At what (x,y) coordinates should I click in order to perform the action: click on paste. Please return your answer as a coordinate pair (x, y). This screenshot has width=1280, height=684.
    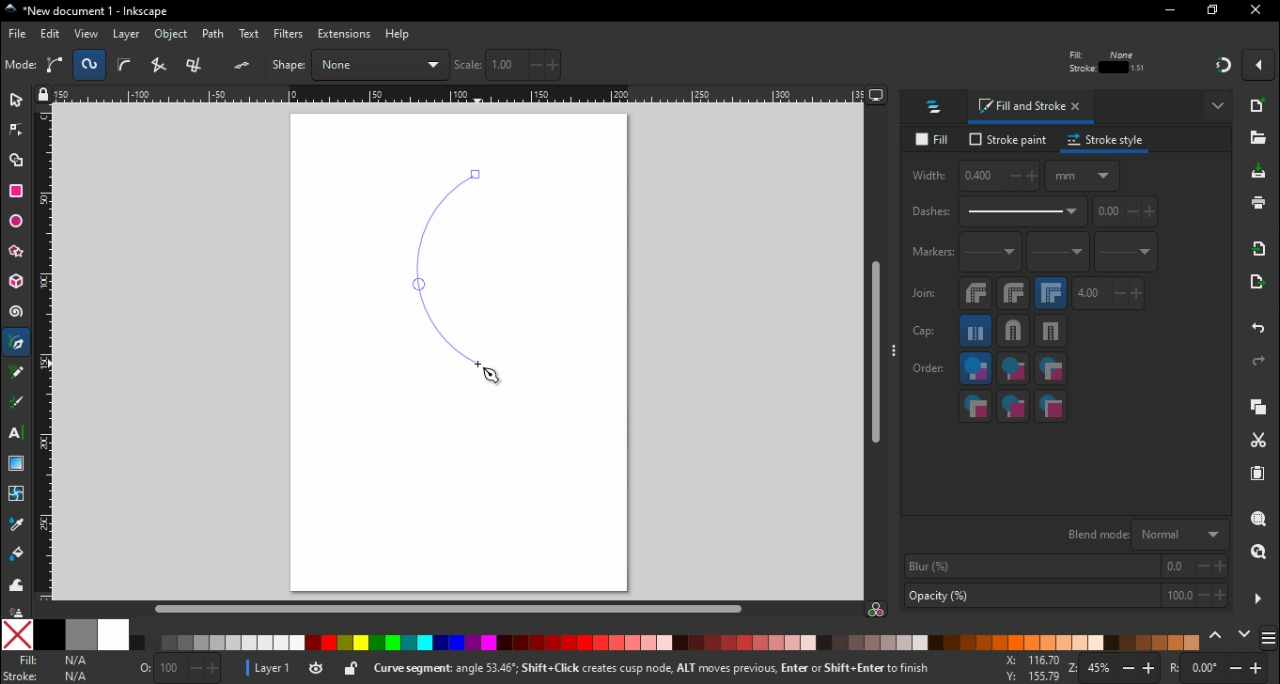
    Looking at the image, I should click on (1258, 475).